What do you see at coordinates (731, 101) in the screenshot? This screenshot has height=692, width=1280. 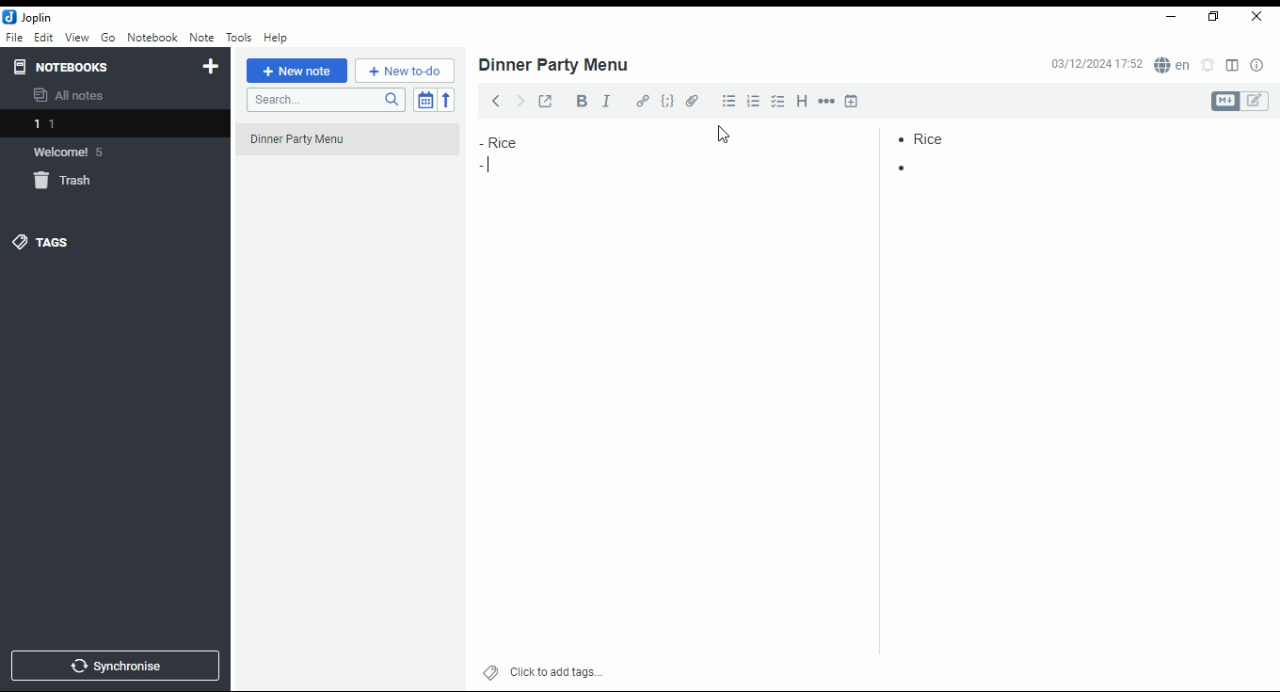 I see `bullet list` at bounding box center [731, 101].